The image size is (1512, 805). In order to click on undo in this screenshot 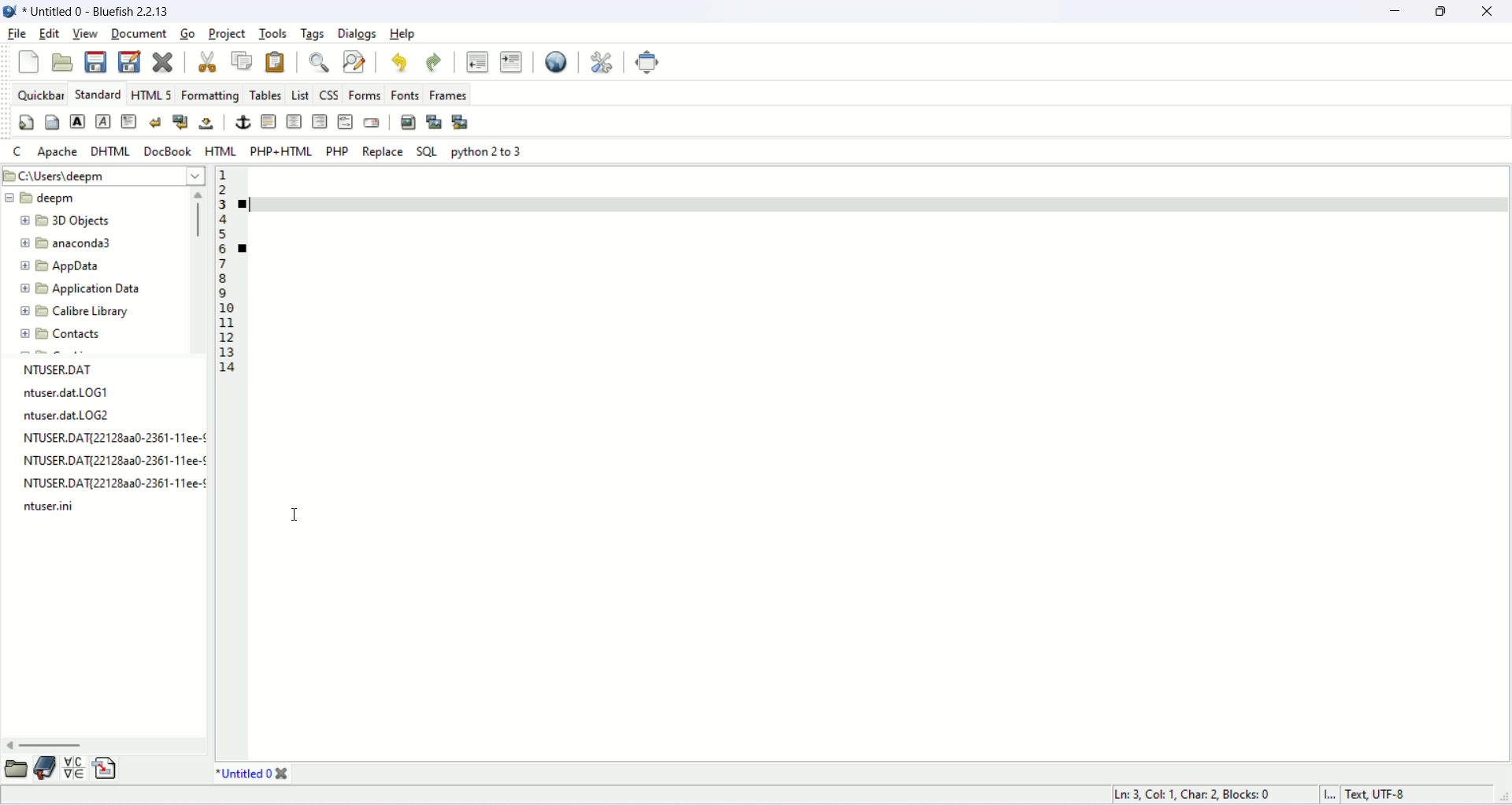, I will do `click(398, 61)`.